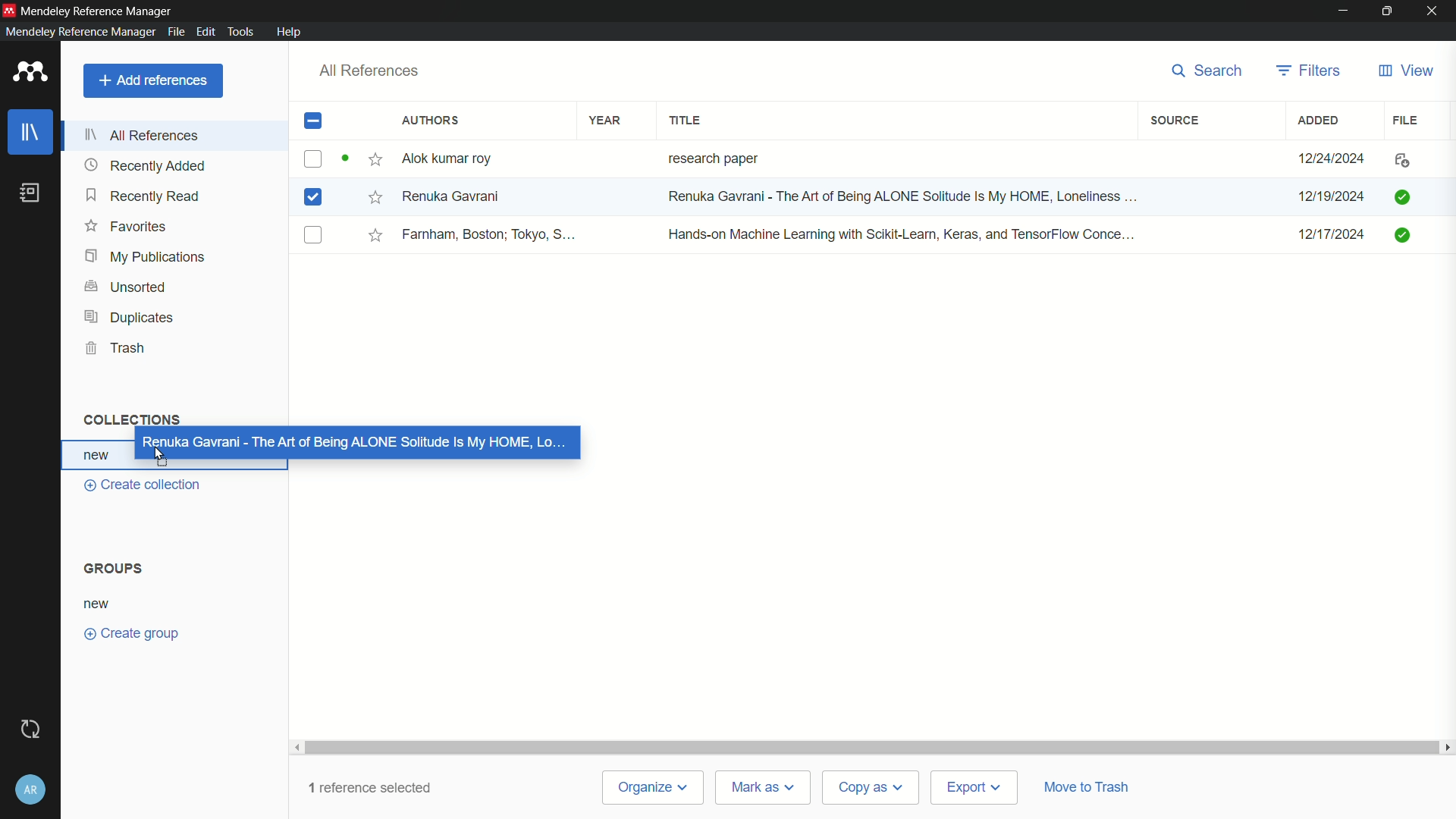 This screenshot has height=819, width=1456. I want to click on move to trash, so click(1090, 787).